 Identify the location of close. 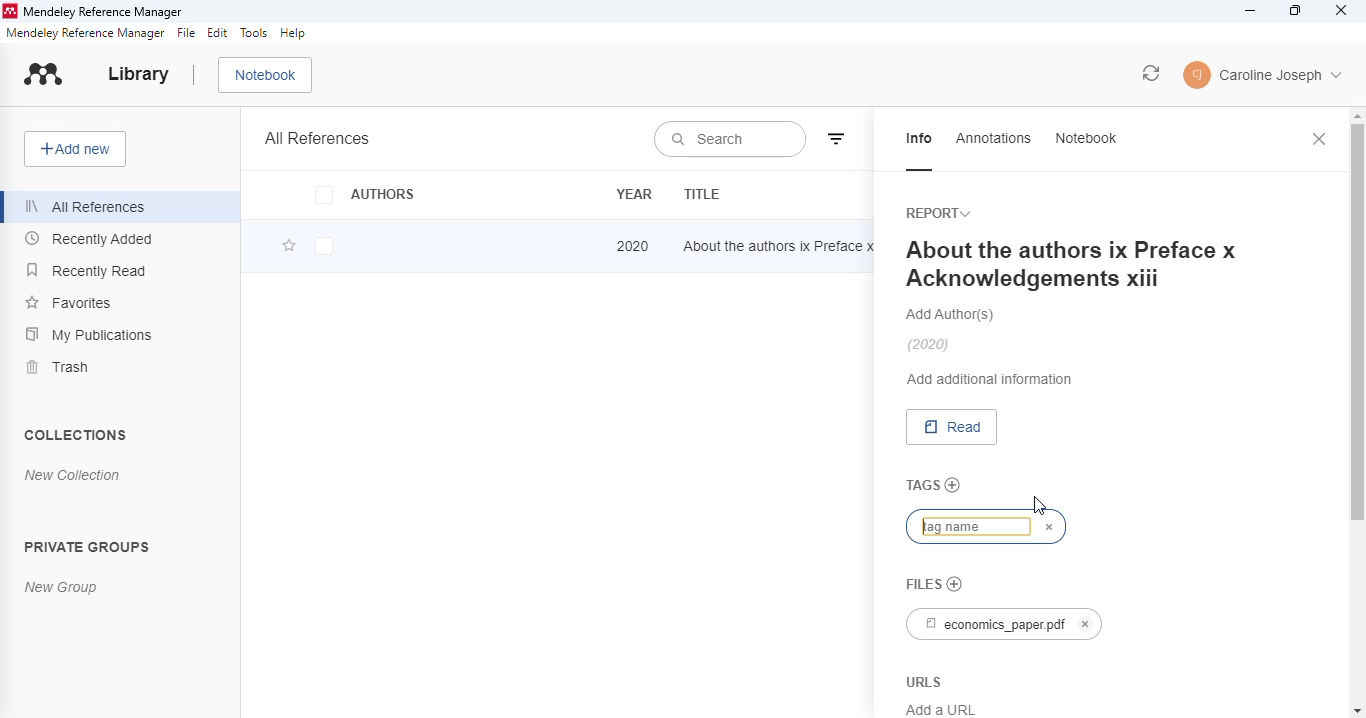
(1320, 139).